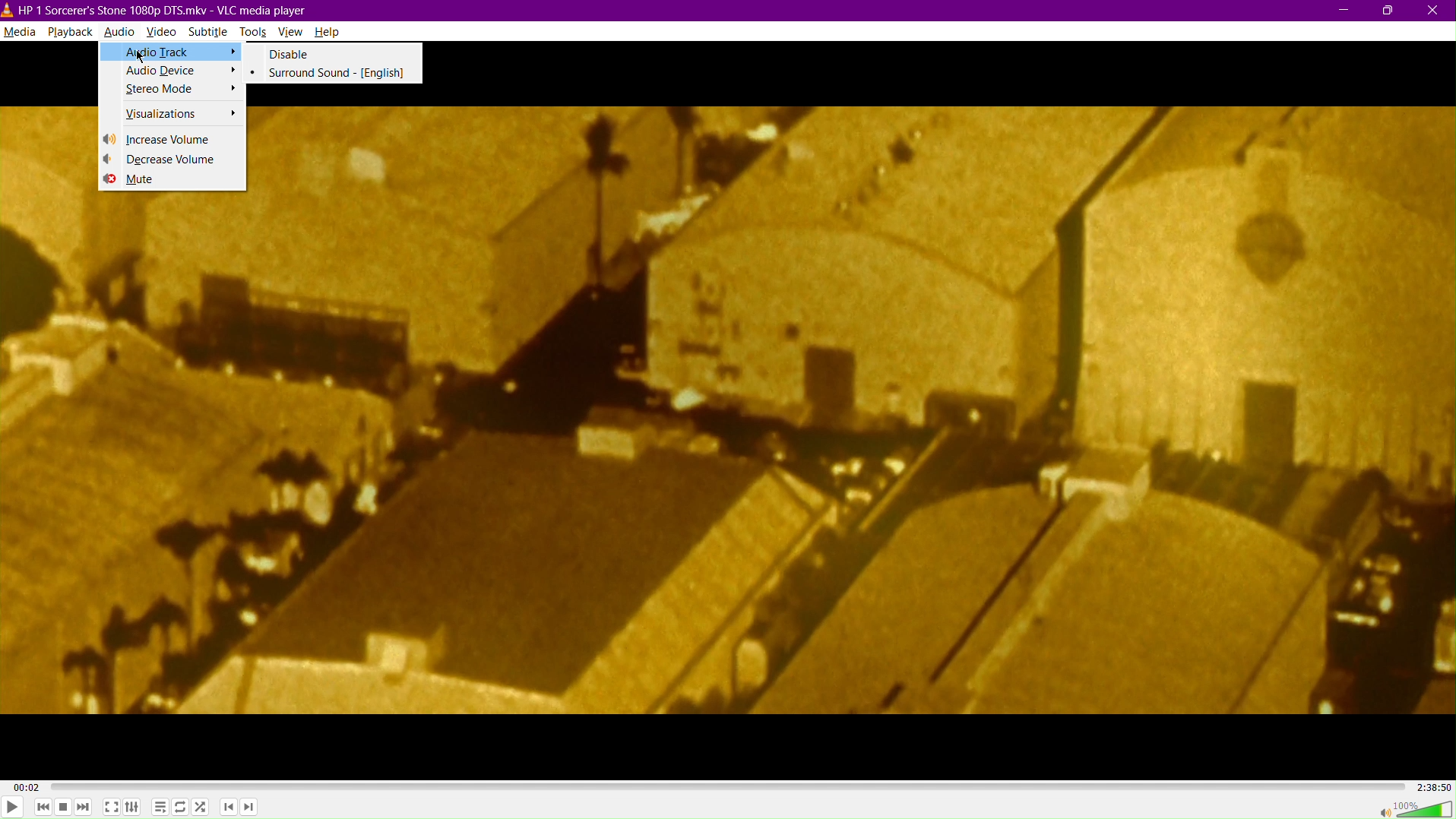  Describe the element at coordinates (112, 808) in the screenshot. I see `Fullscreen` at that location.